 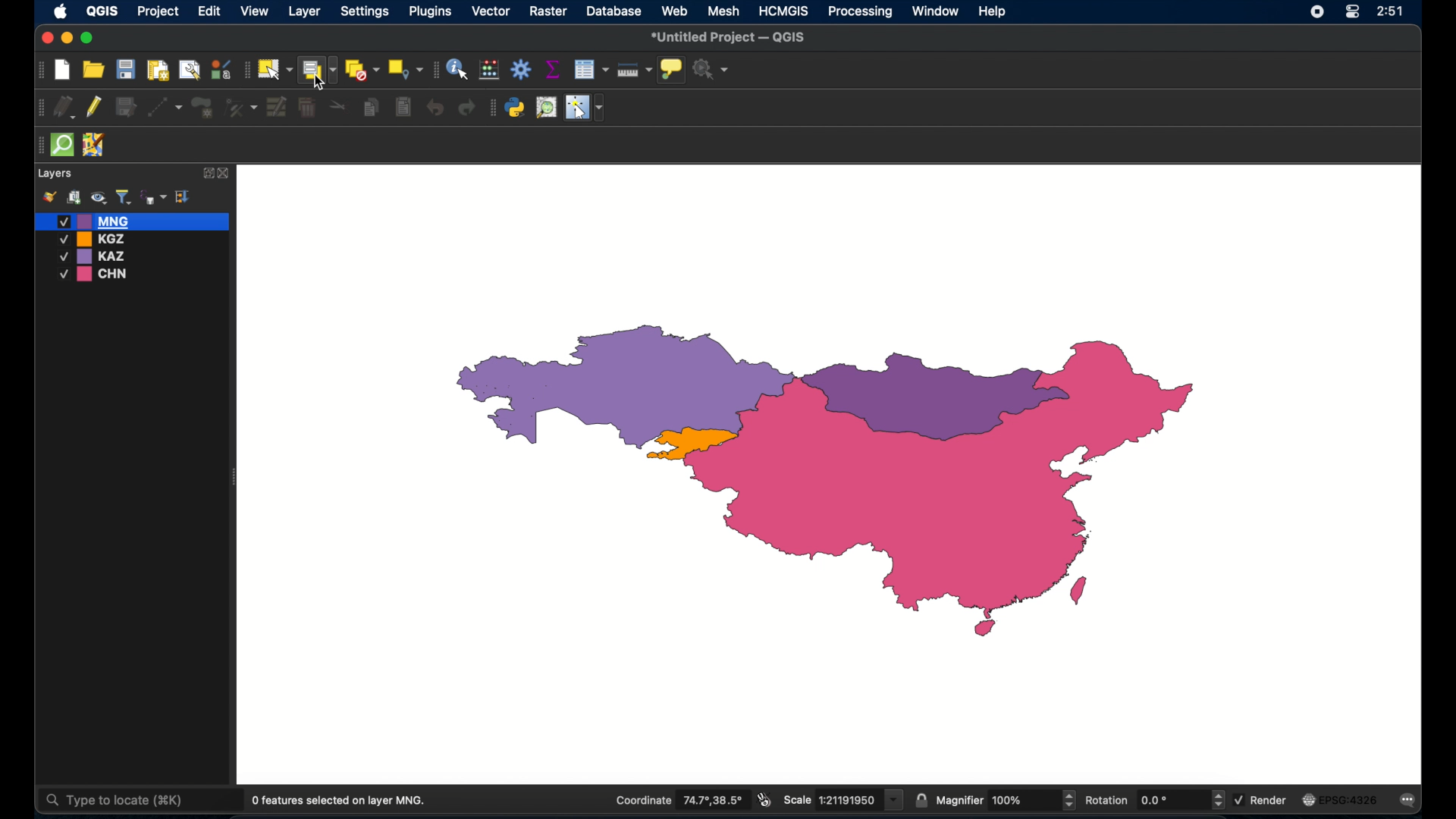 What do you see at coordinates (521, 69) in the screenshot?
I see `toolbox` at bounding box center [521, 69].